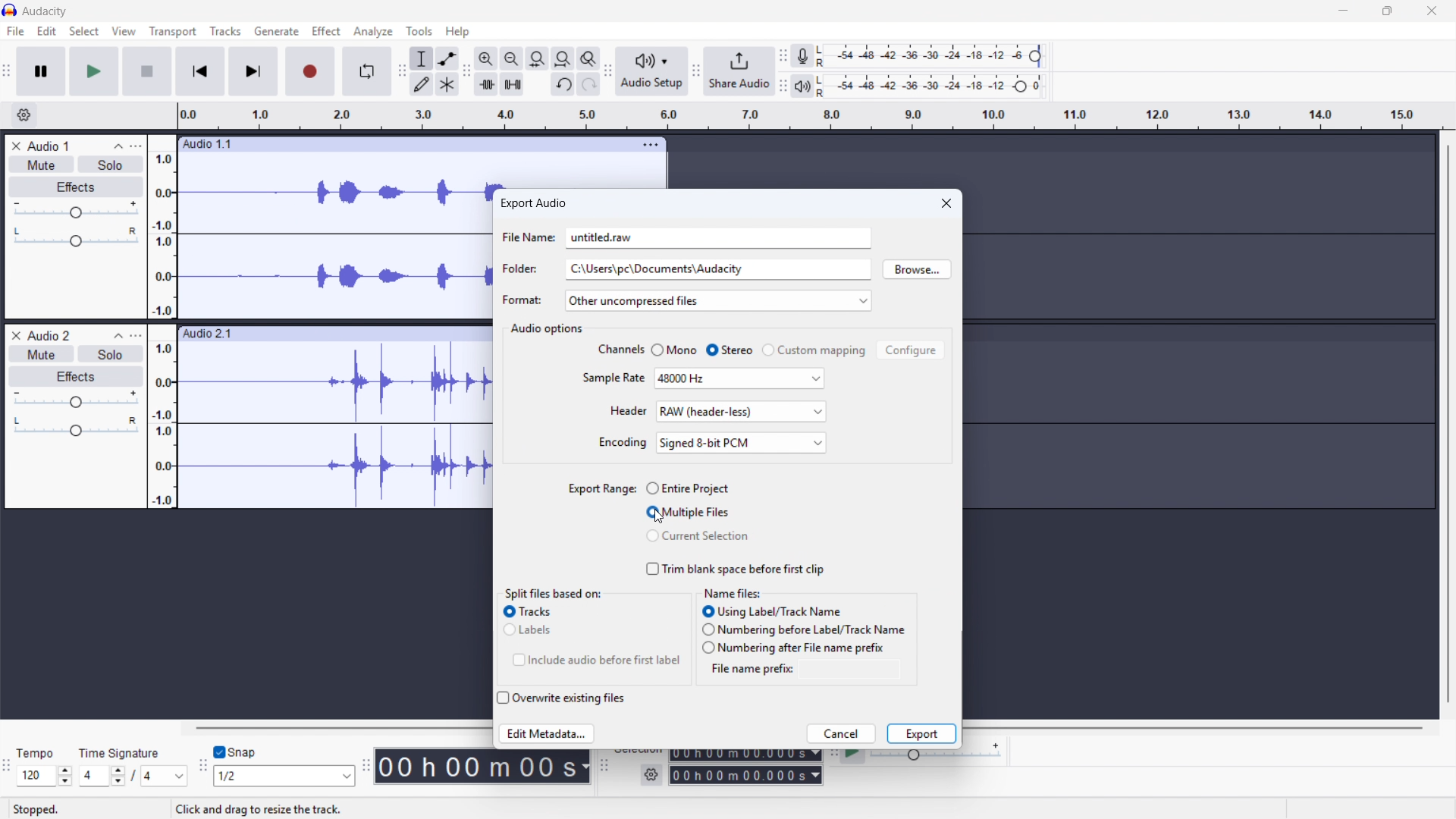 The image size is (1456, 819). Describe the element at coordinates (217, 810) in the screenshot. I see `volume +0.0 dB` at that location.